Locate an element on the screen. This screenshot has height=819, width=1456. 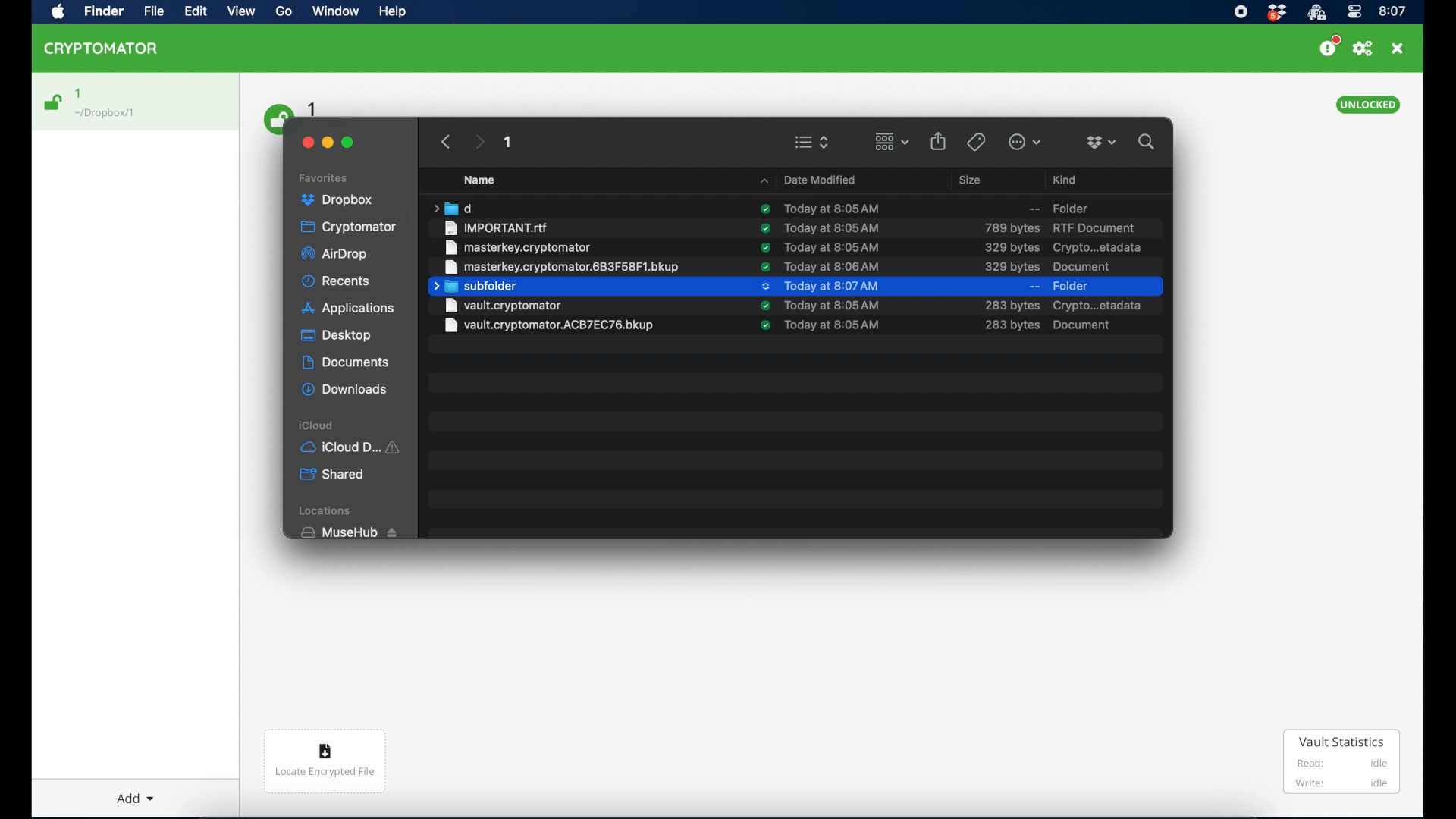
sync is located at coordinates (764, 247).